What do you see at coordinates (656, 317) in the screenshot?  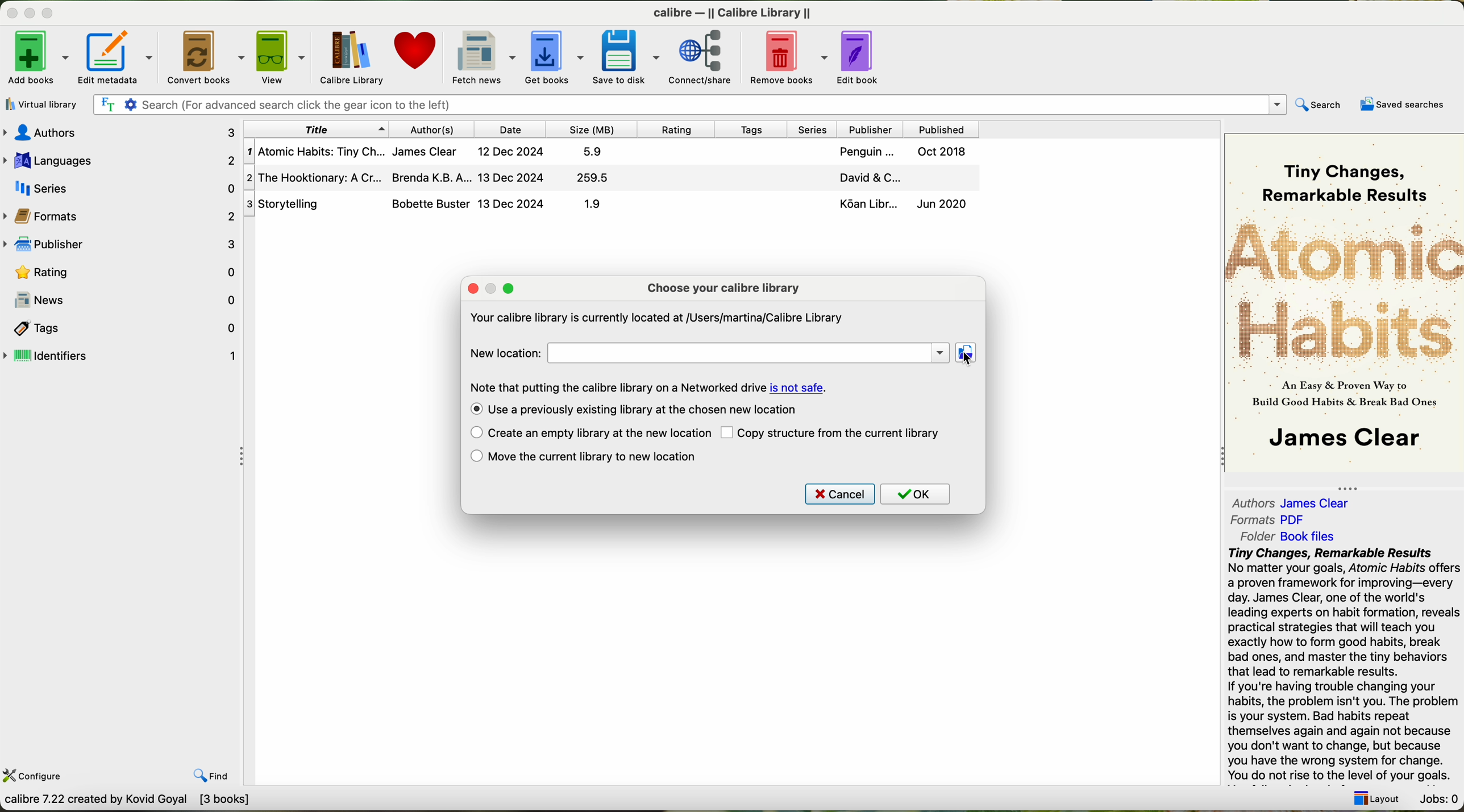 I see `your calibre library is currently located at user/martina/Calibre Library` at bounding box center [656, 317].